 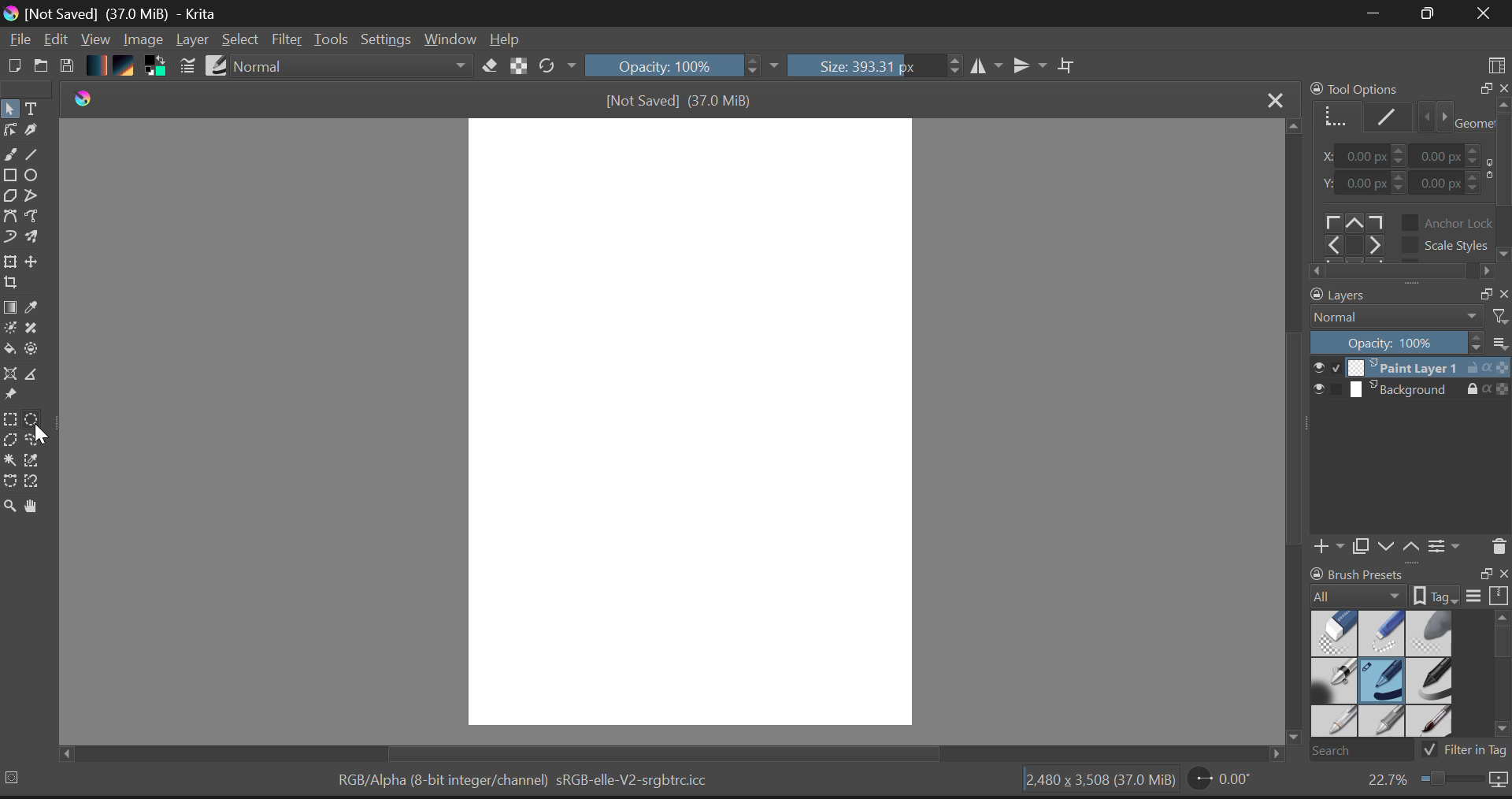 I want to click on Eraser, so click(x=487, y=66).